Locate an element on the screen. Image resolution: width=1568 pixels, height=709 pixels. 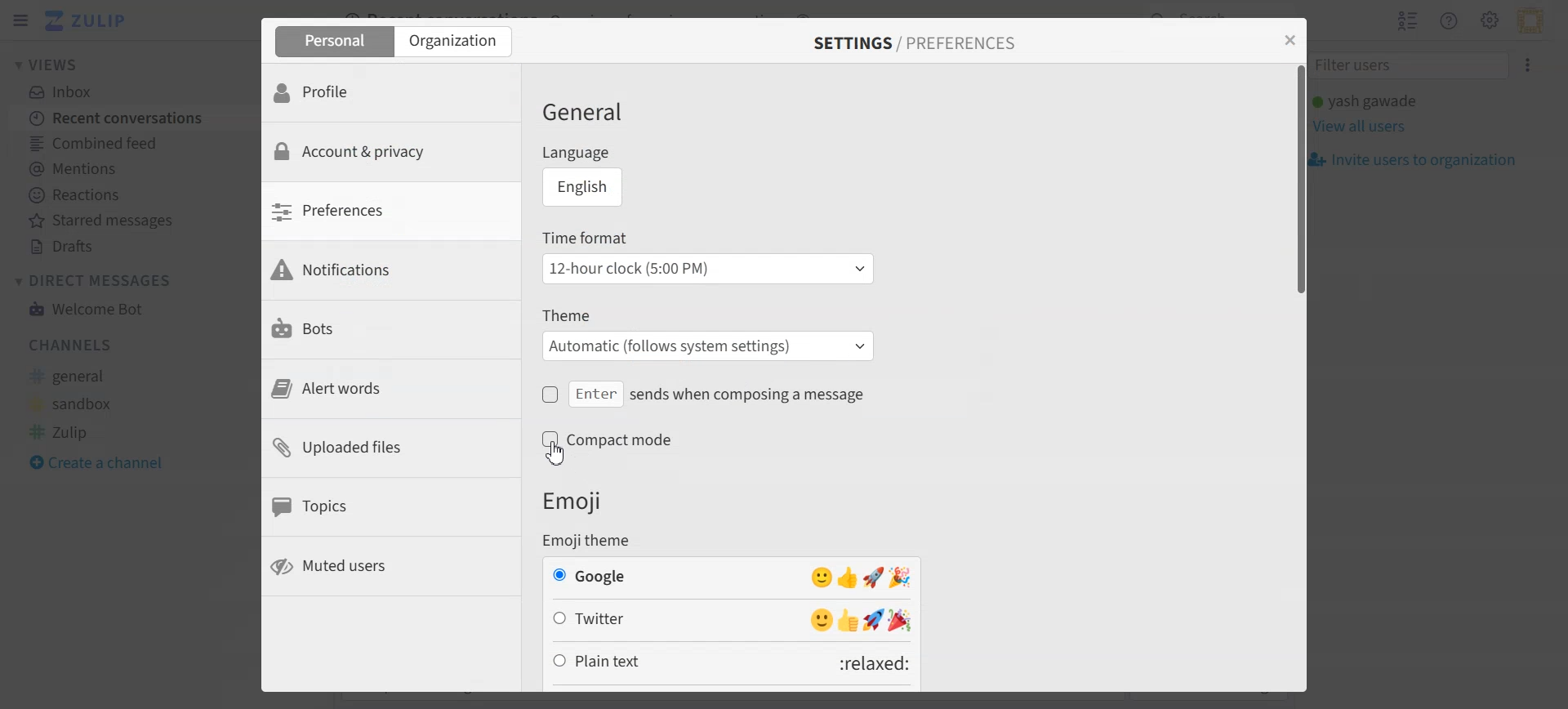
Uploaded files is located at coordinates (390, 448).